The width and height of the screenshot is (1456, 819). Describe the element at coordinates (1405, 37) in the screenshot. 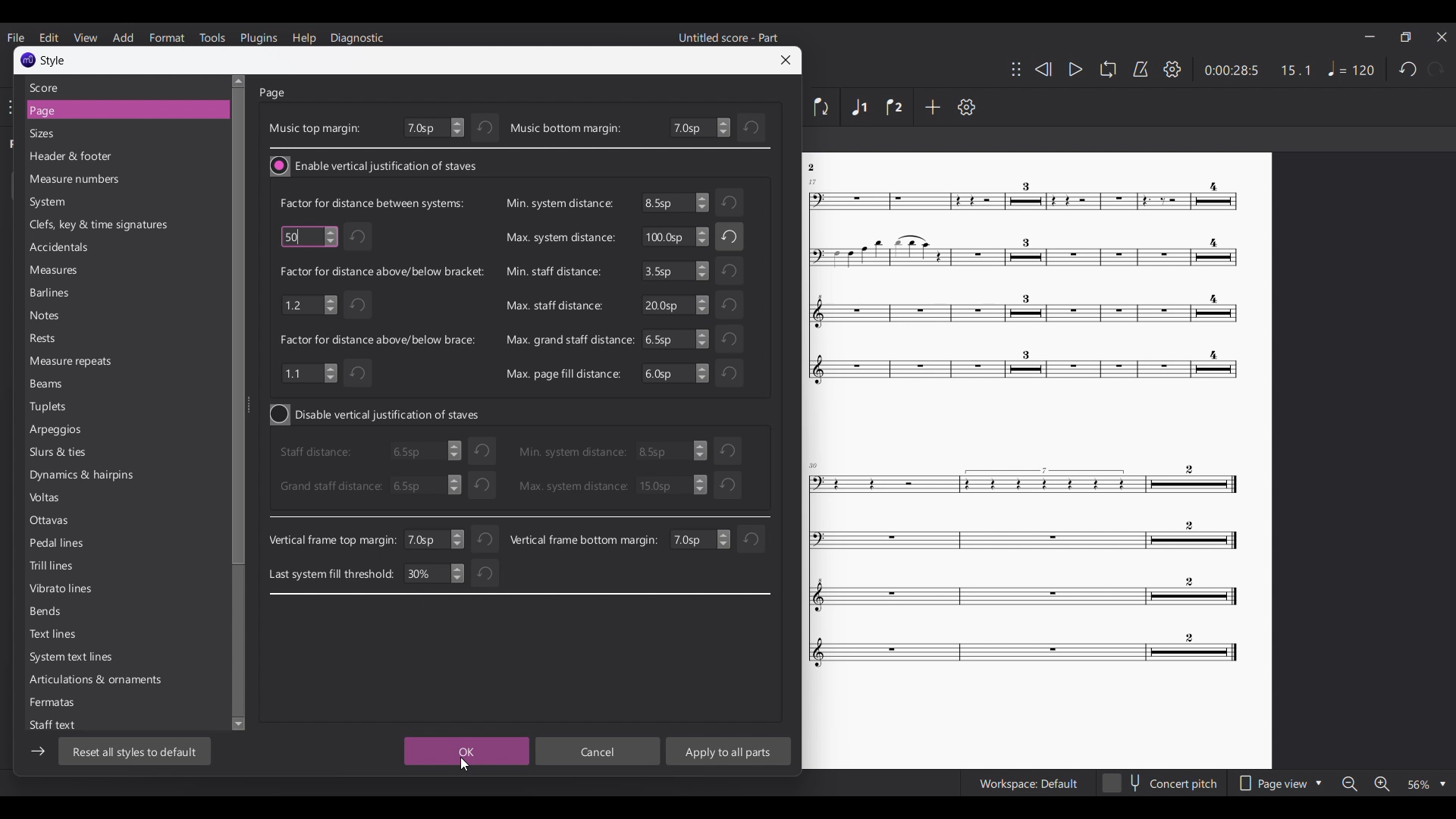

I see `Smaller tab` at that location.